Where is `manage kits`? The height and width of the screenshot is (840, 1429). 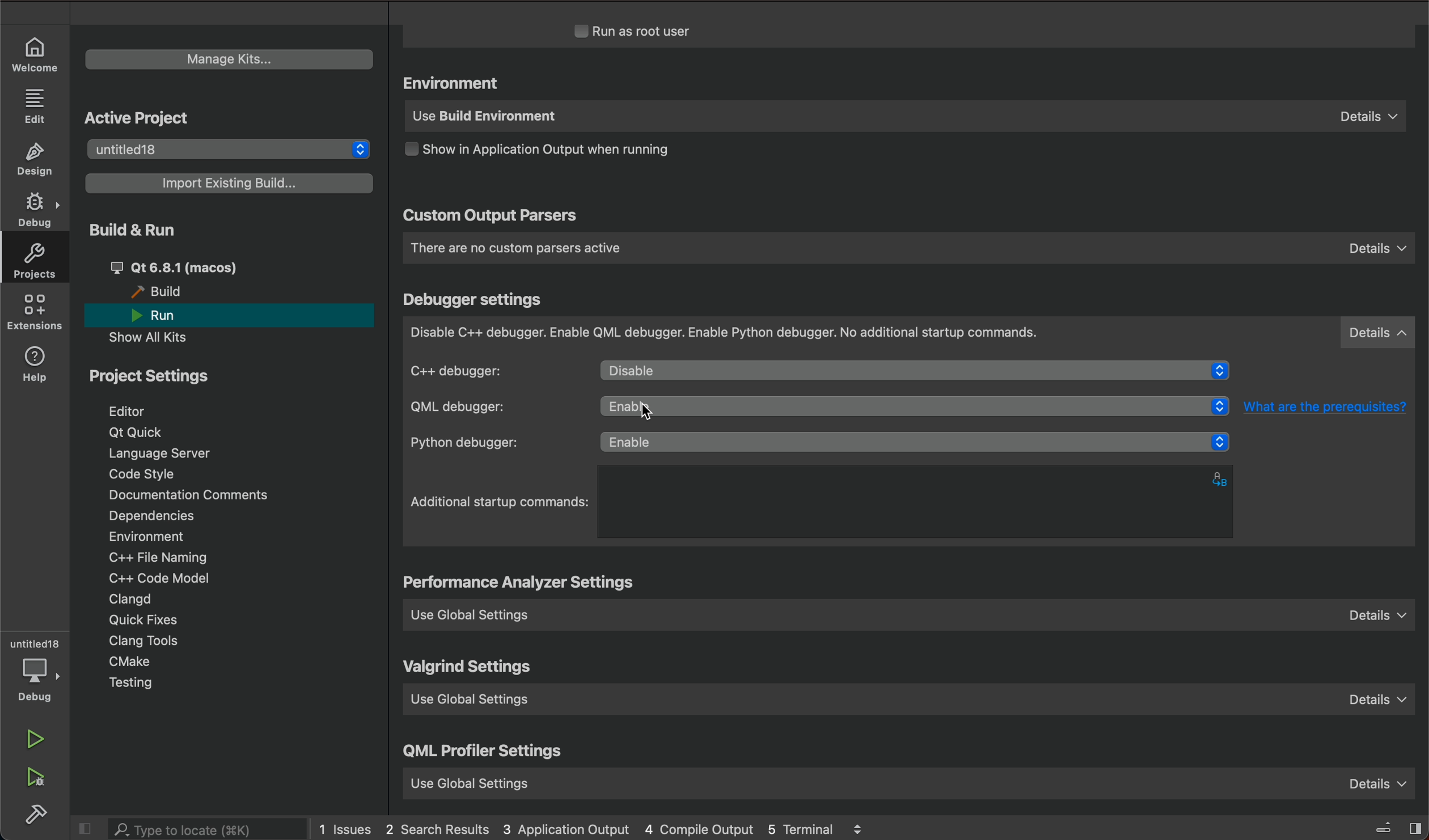 manage kits is located at coordinates (225, 57).